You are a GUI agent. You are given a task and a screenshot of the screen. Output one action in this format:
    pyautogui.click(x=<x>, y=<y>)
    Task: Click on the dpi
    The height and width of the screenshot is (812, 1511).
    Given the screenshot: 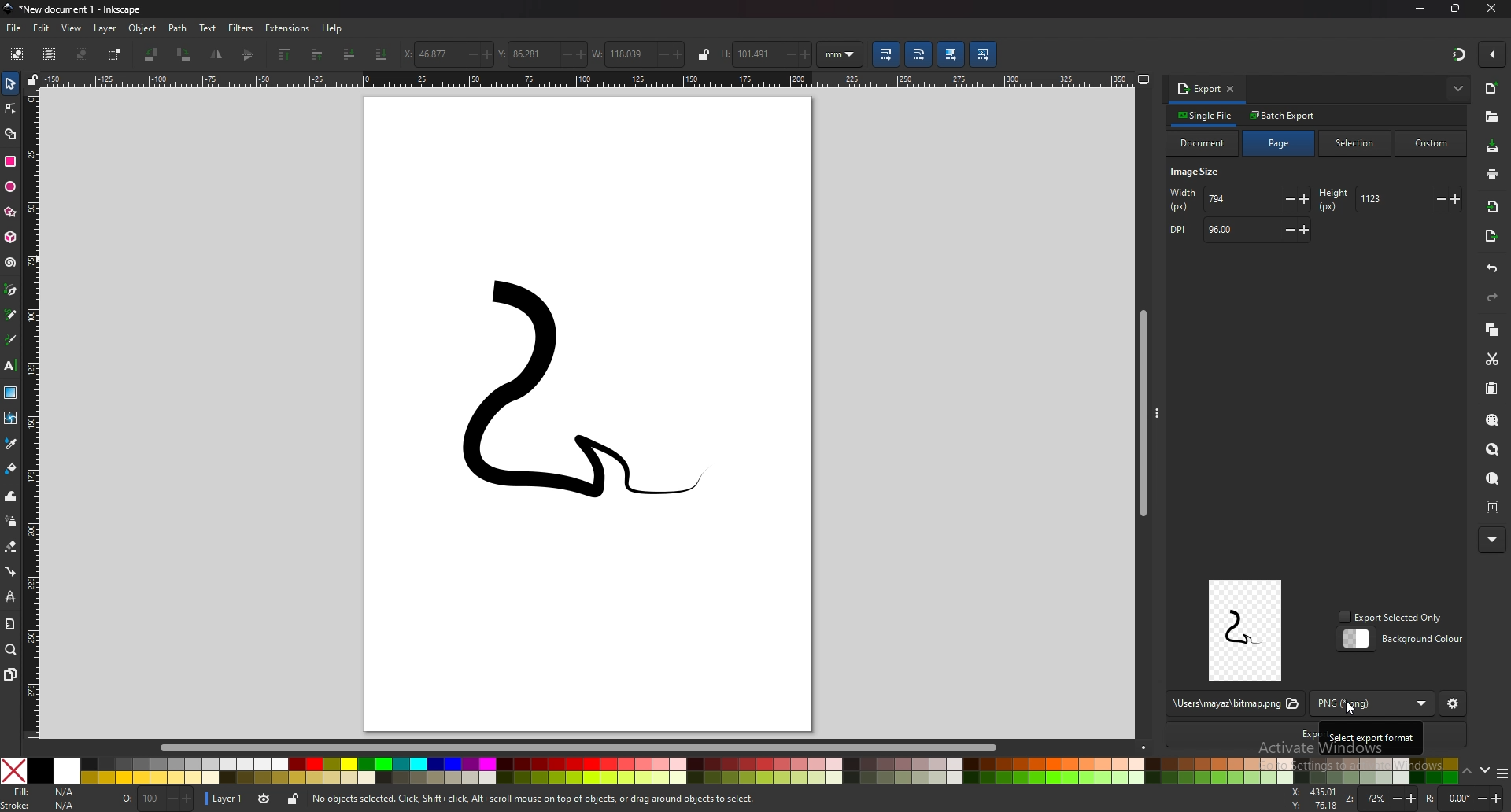 What is the action you would take?
    pyautogui.click(x=1238, y=231)
    